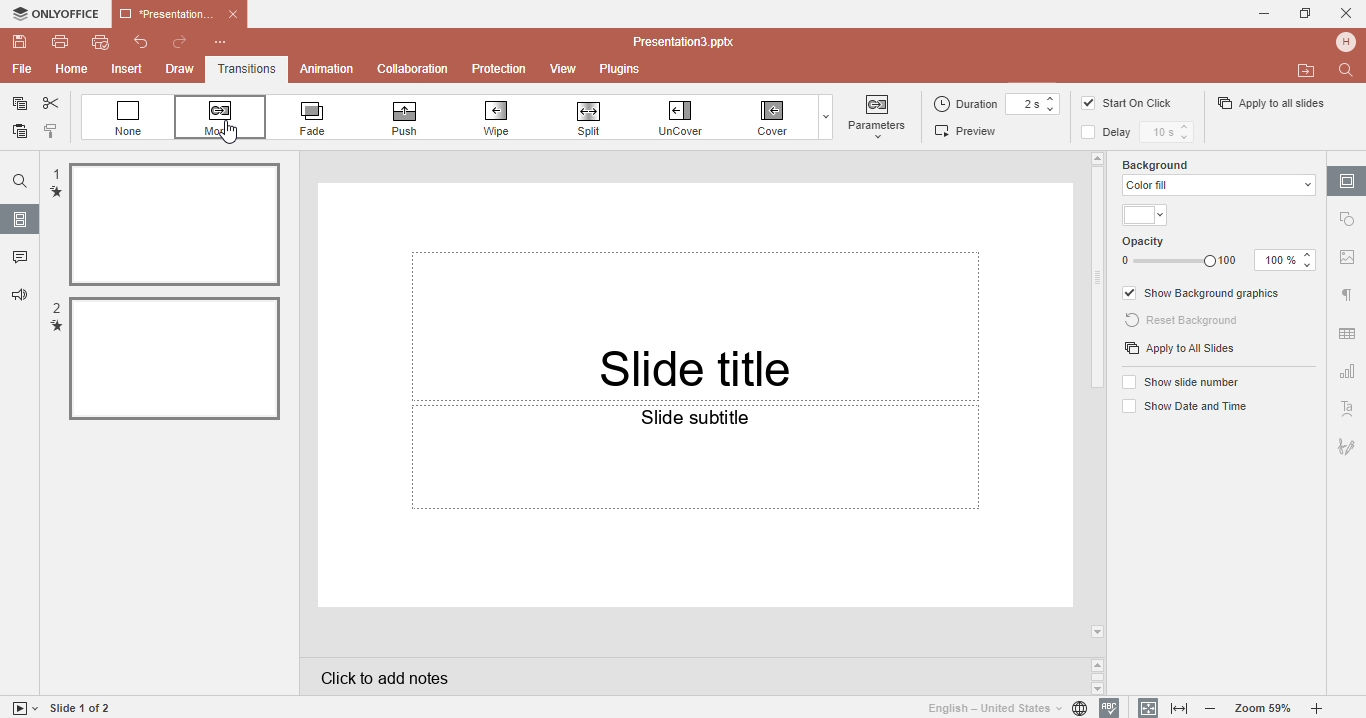  Describe the element at coordinates (1346, 13) in the screenshot. I see `Cancel` at that location.